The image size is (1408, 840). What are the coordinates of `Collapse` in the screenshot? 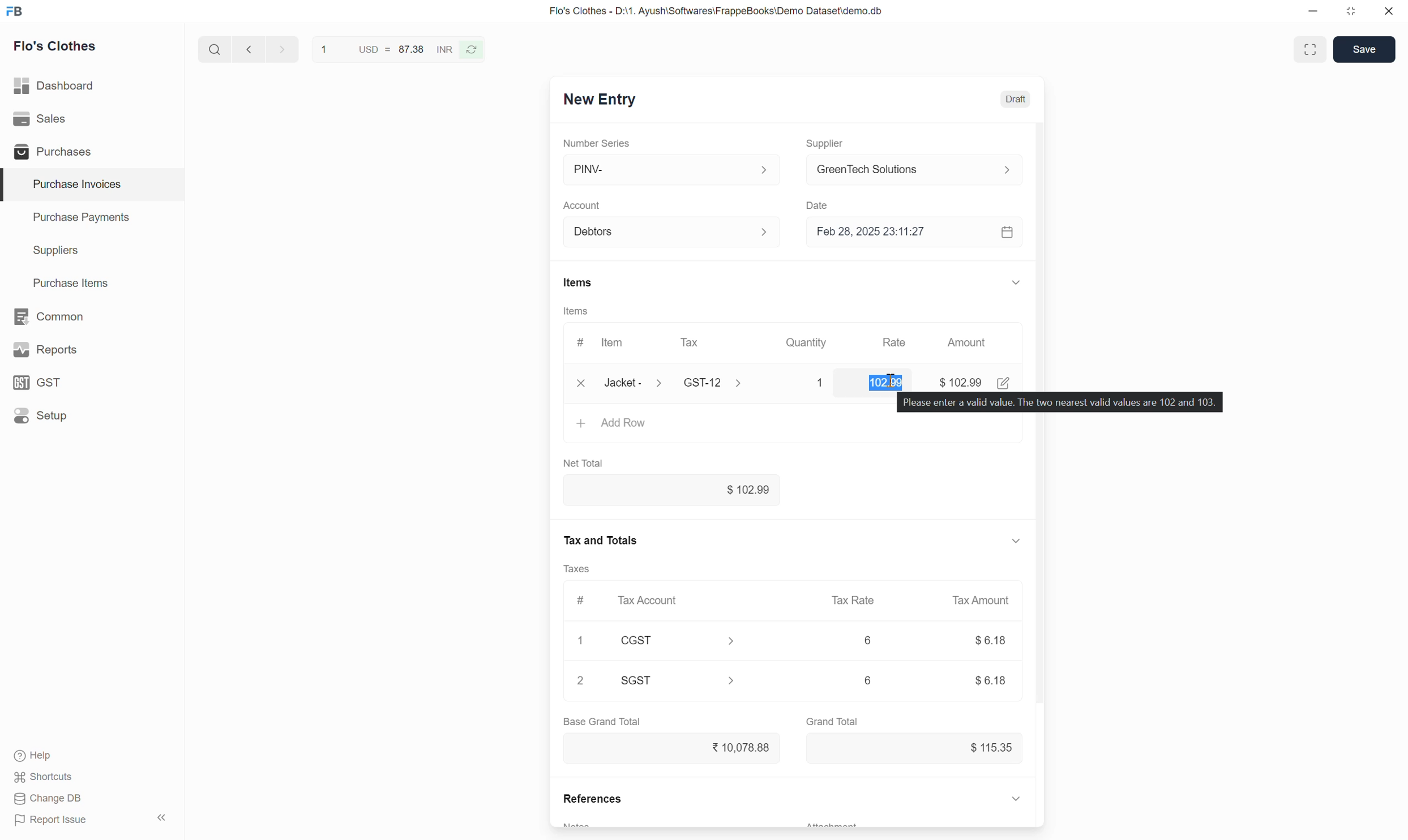 It's located at (1016, 541).